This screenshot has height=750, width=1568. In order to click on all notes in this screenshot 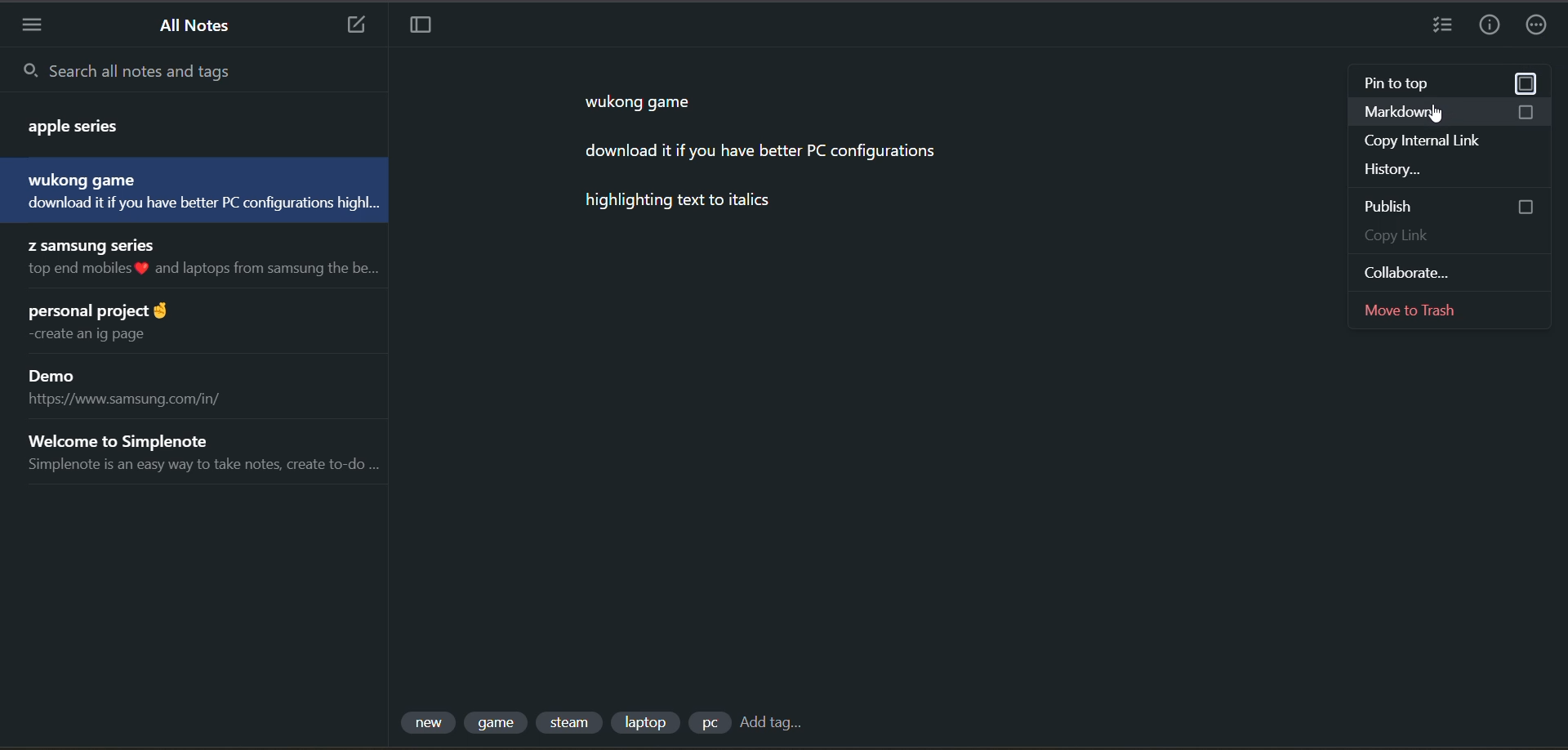, I will do `click(201, 28)`.